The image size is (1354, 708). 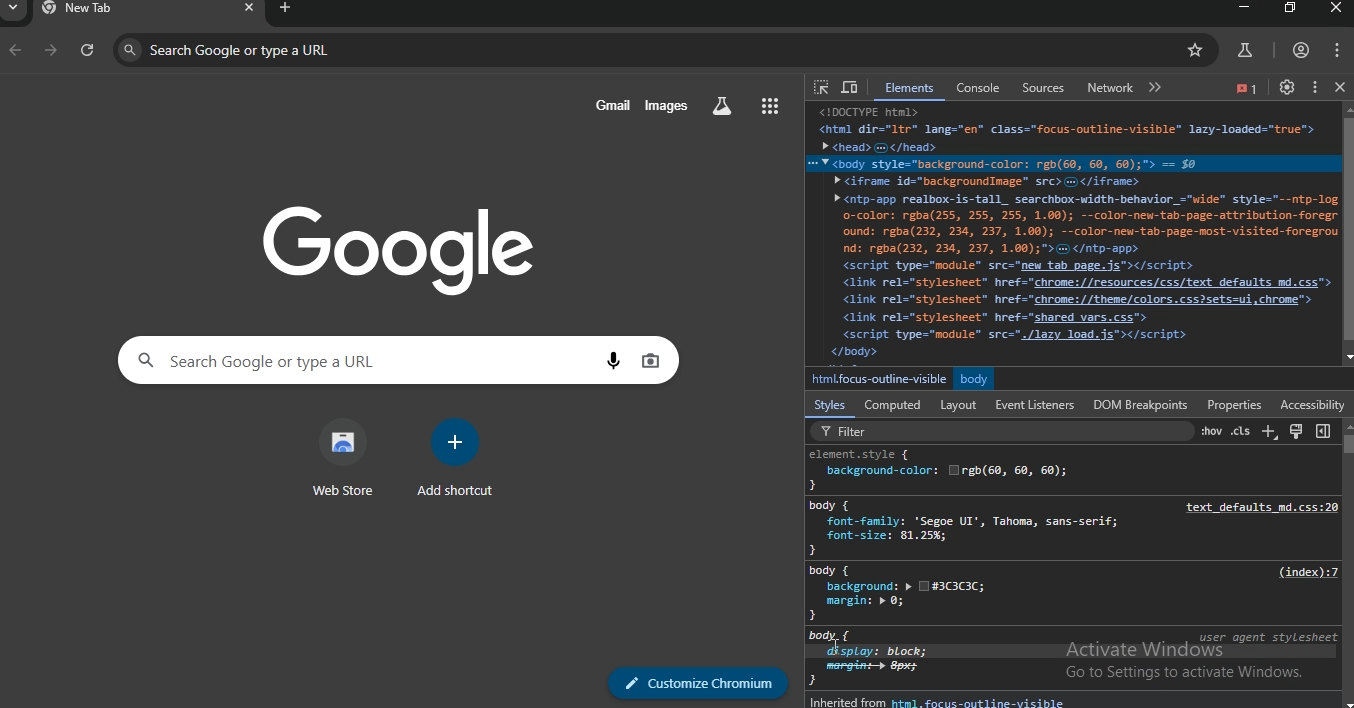 I want to click on voice search, so click(x=618, y=361).